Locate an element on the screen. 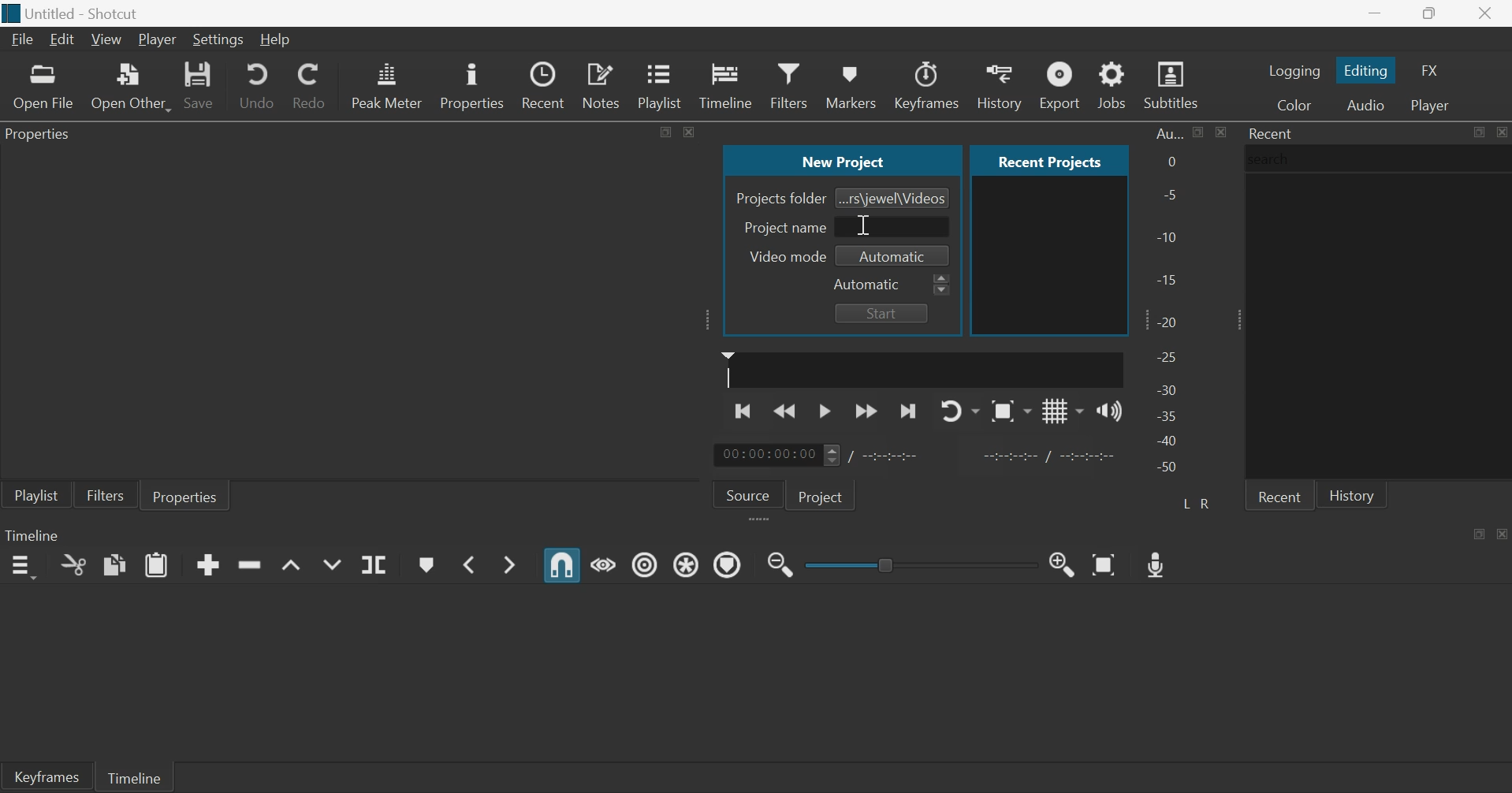 This screenshot has height=793, width=1512. Snap is located at coordinates (562, 565).